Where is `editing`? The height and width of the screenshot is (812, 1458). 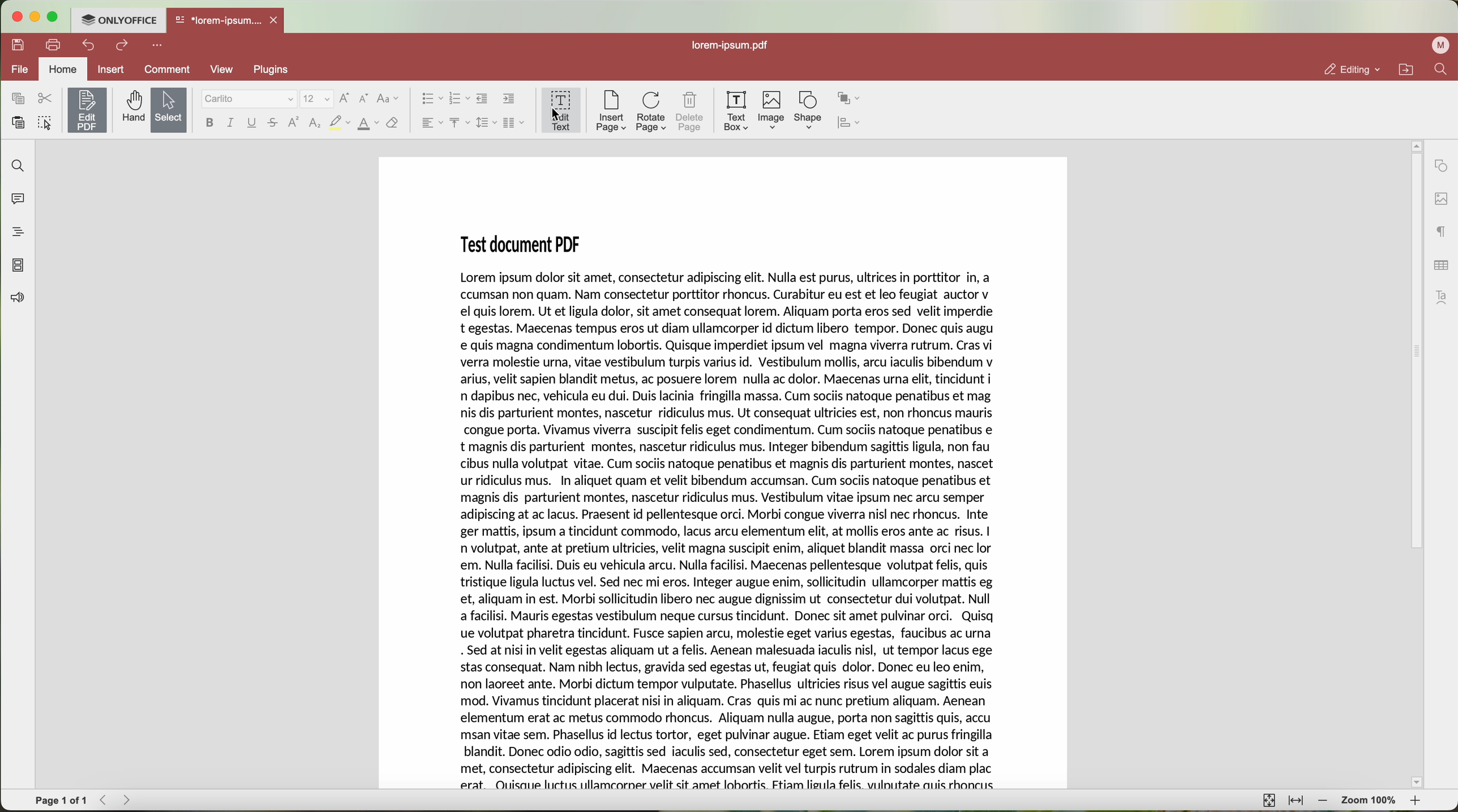 editing is located at coordinates (1348, 67).